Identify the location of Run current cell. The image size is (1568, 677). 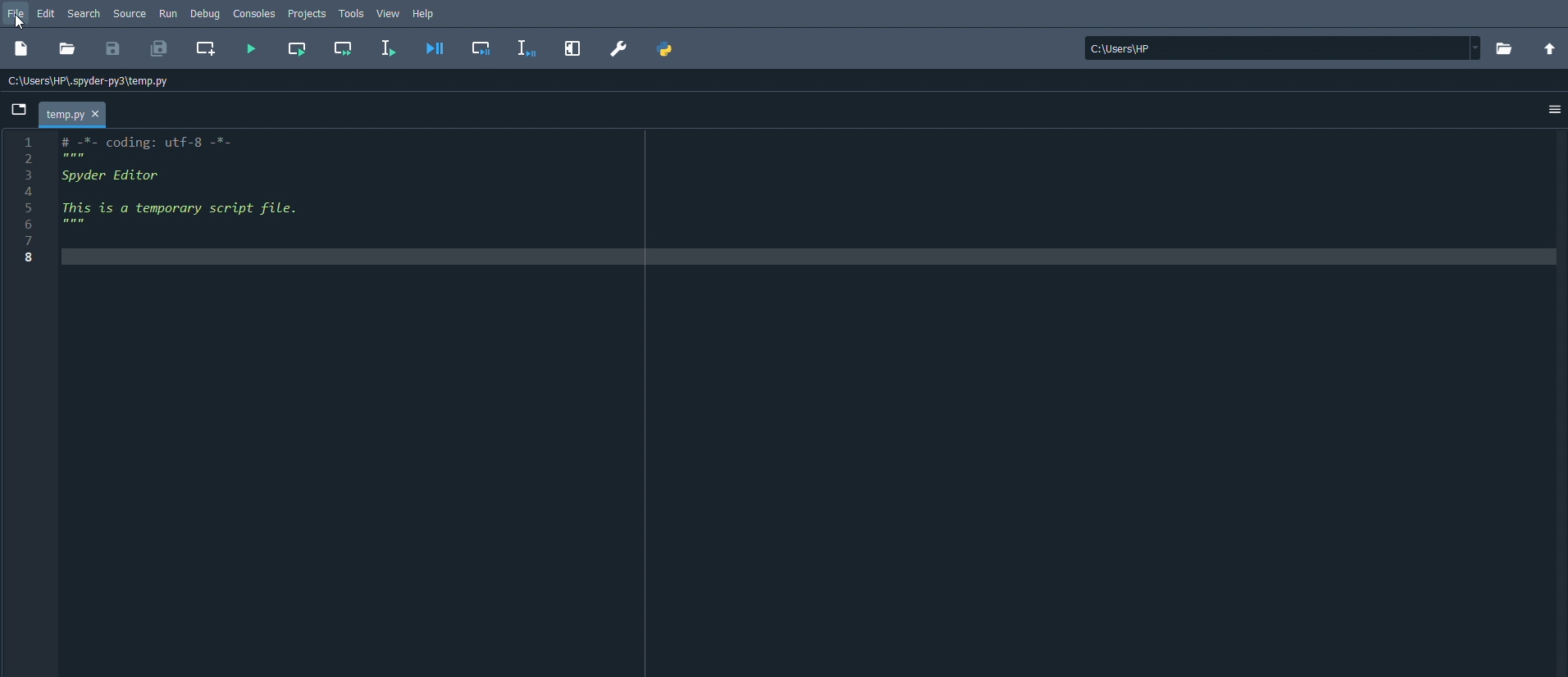
(297, 48).